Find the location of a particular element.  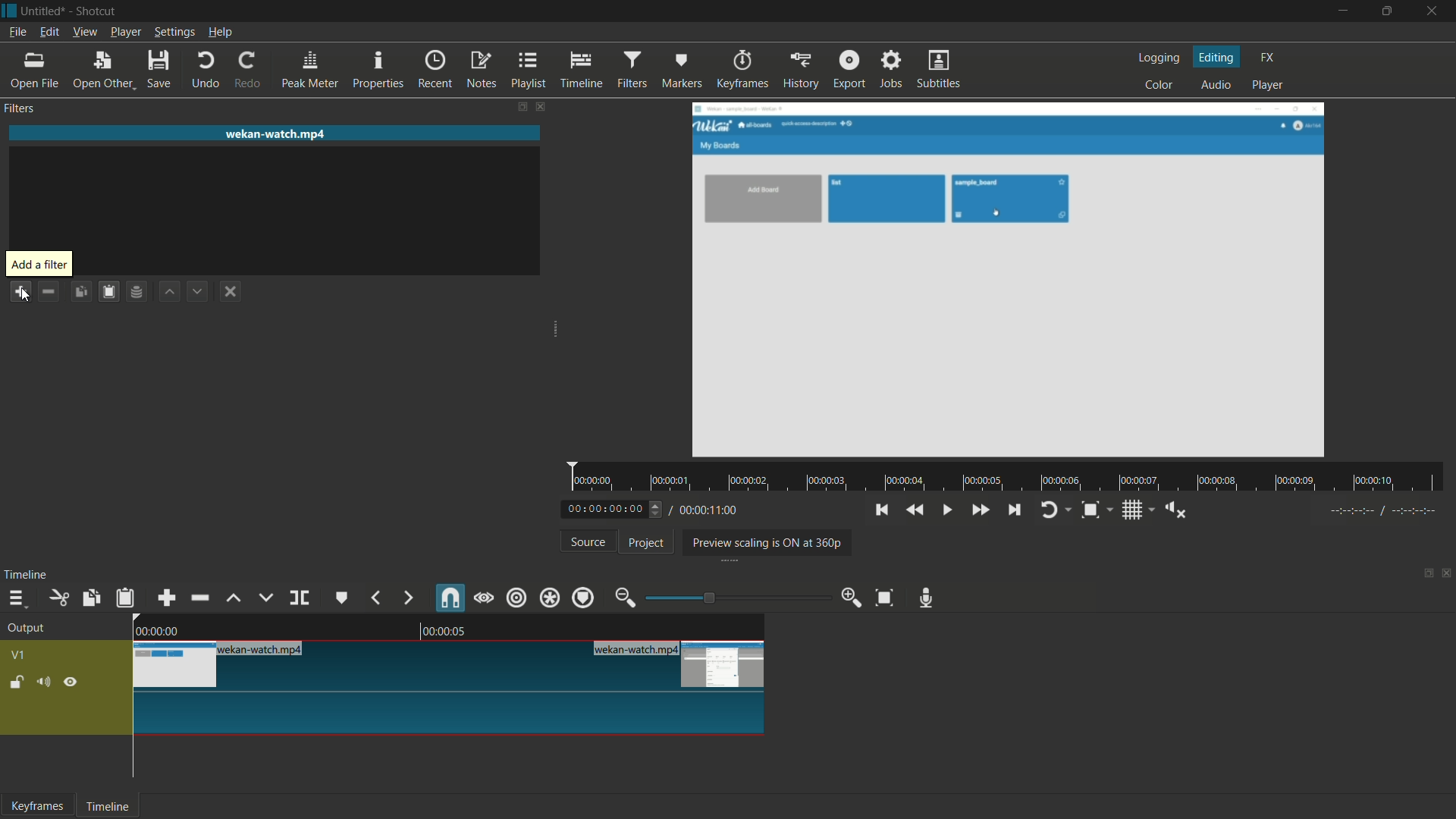

ripple markers is located at coordinates (584, 598).